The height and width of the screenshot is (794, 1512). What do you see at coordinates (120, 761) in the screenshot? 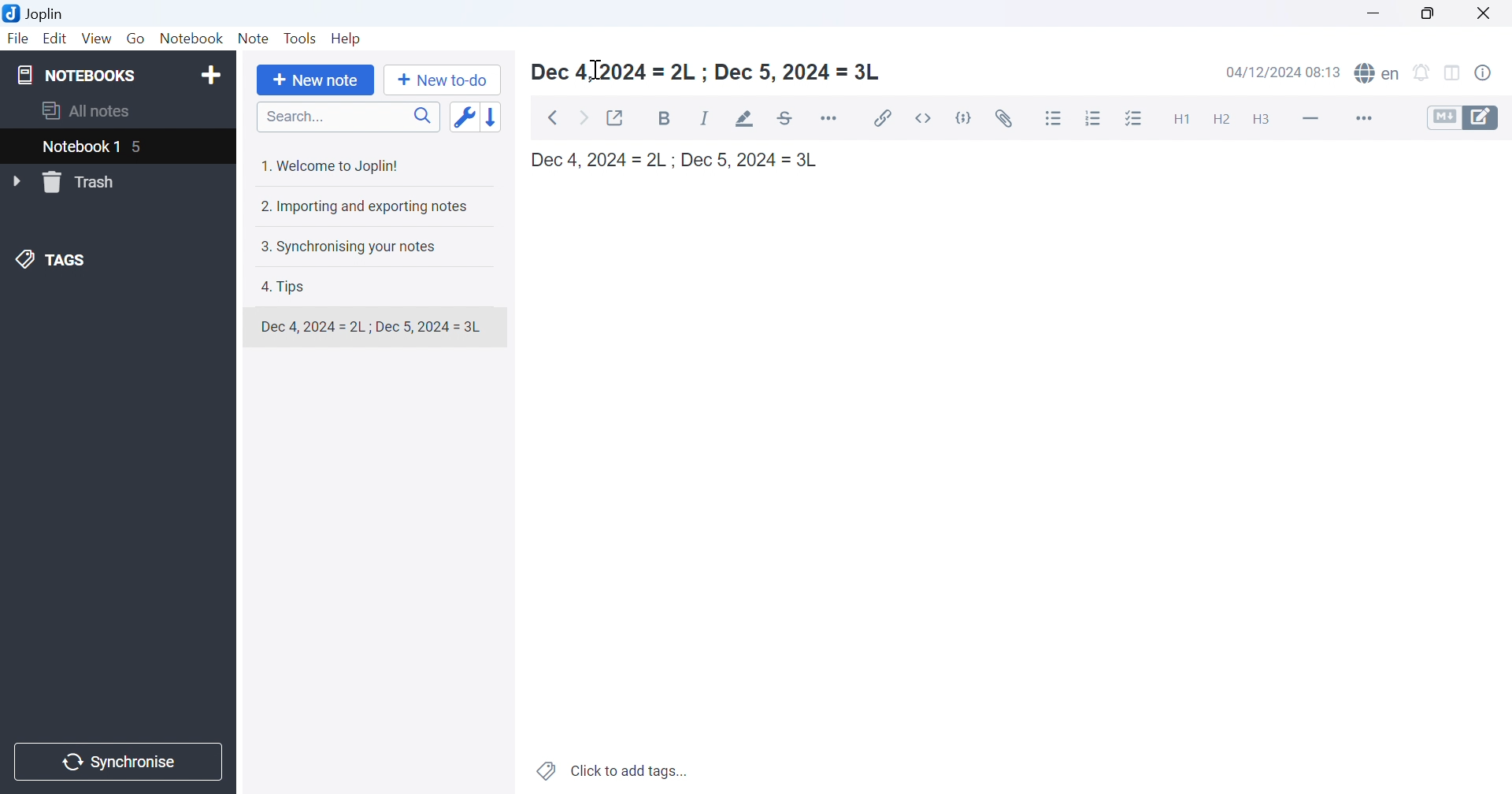
I see `Synchronise` at bounding box center [120, 761].